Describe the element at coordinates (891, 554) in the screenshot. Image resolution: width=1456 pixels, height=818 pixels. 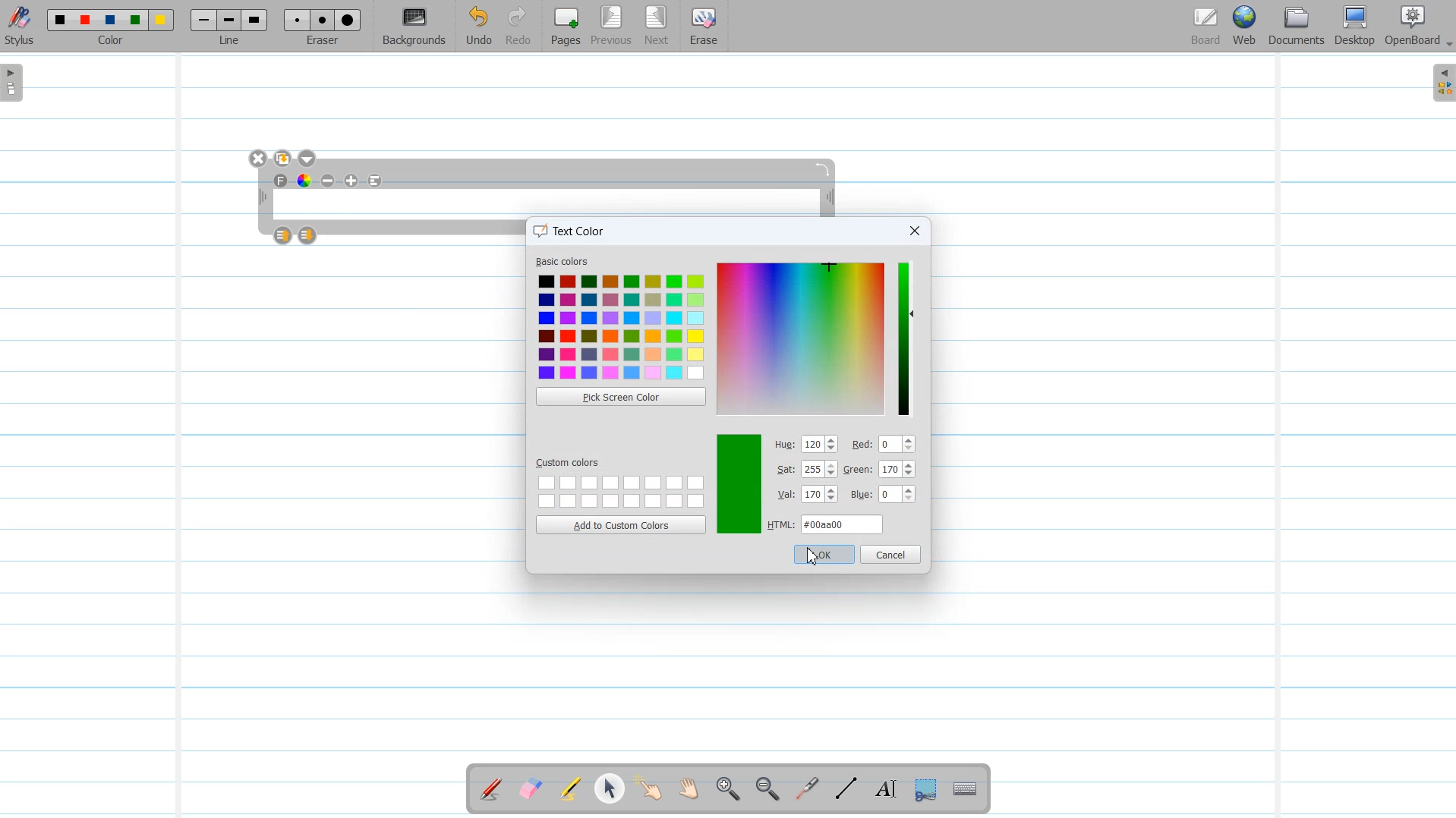
I see `Cancel` at that location.